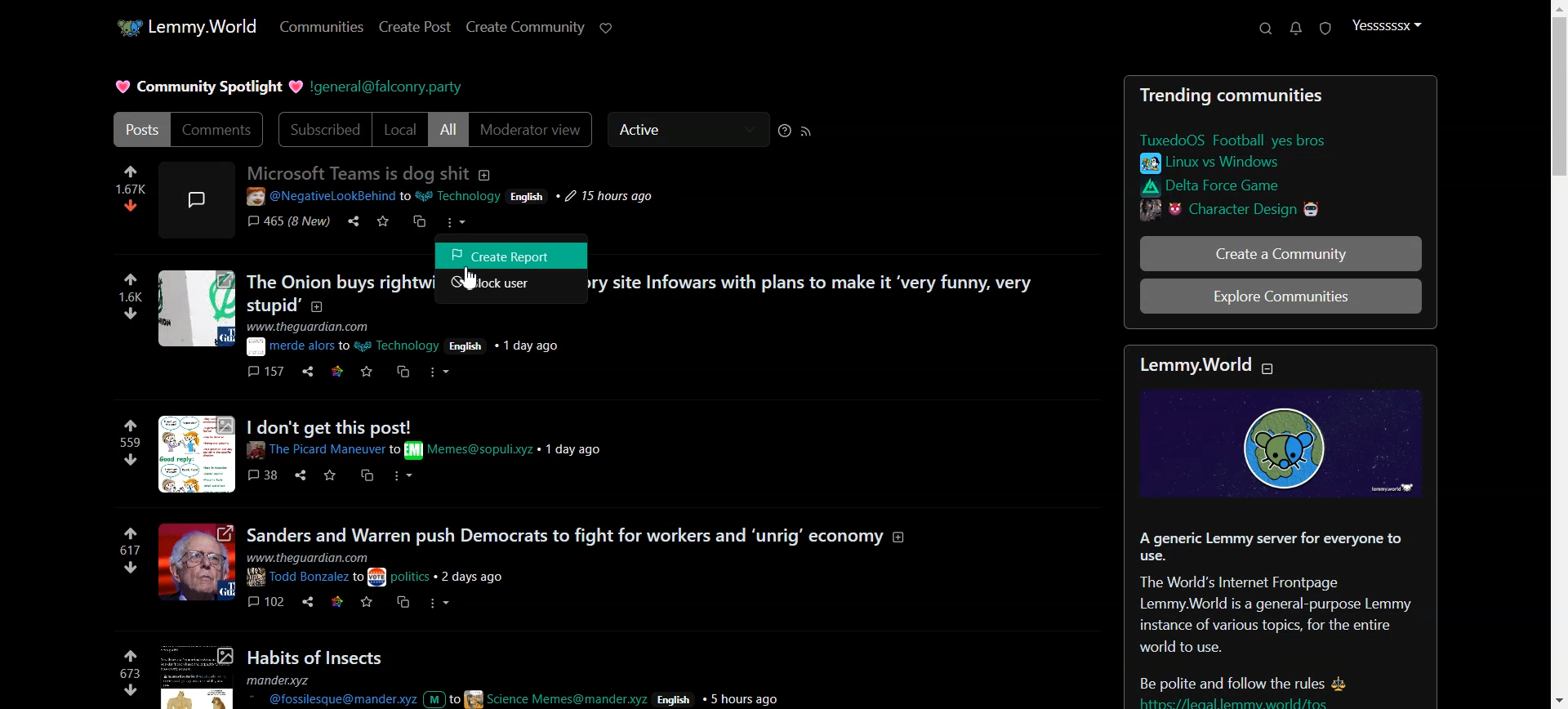 The width and height of the screenshot is (1568, 709). I want to click on share, so click(355, 222).